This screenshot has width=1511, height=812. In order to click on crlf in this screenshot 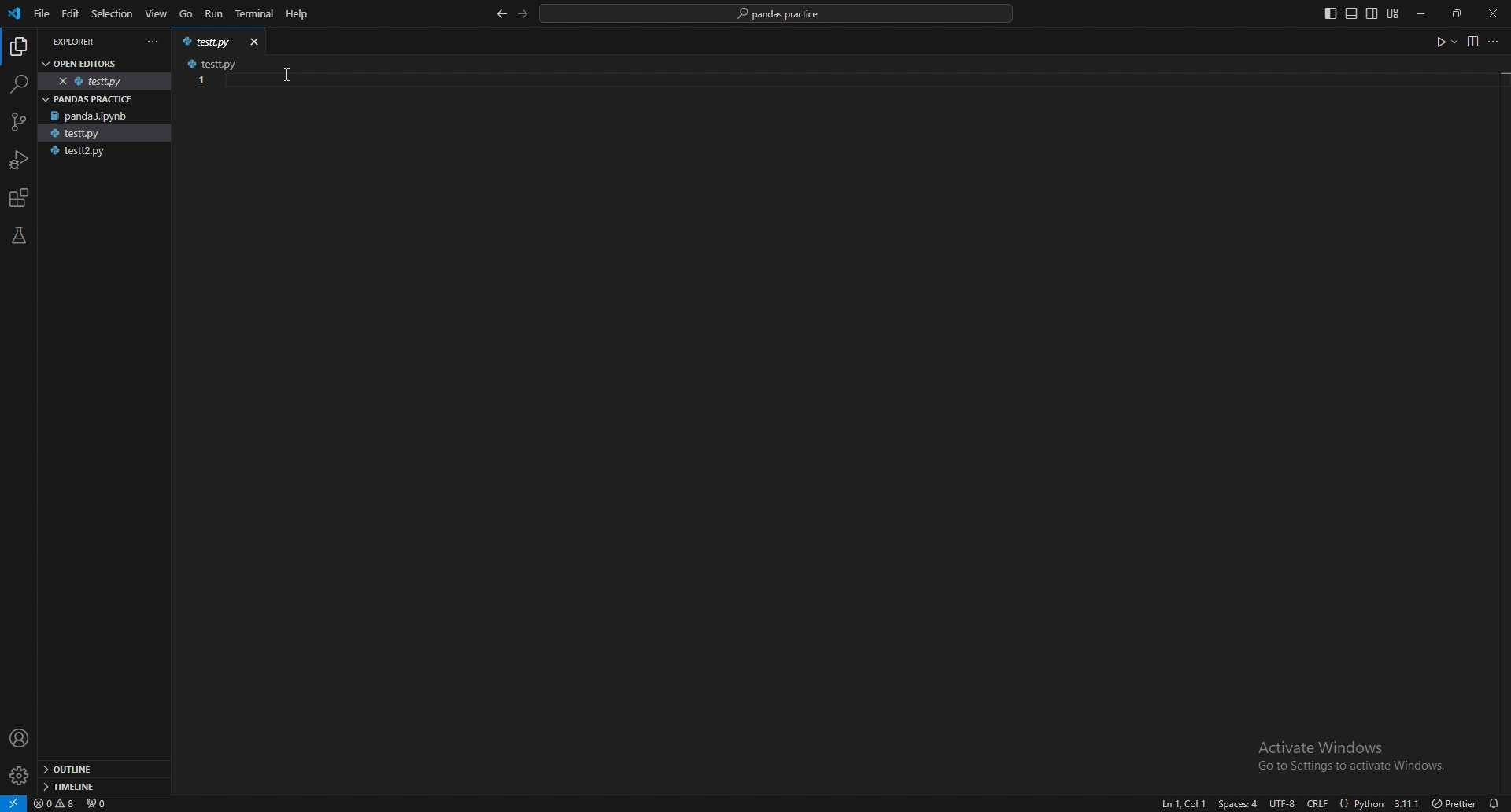, I will do `click(1319, 803)`.